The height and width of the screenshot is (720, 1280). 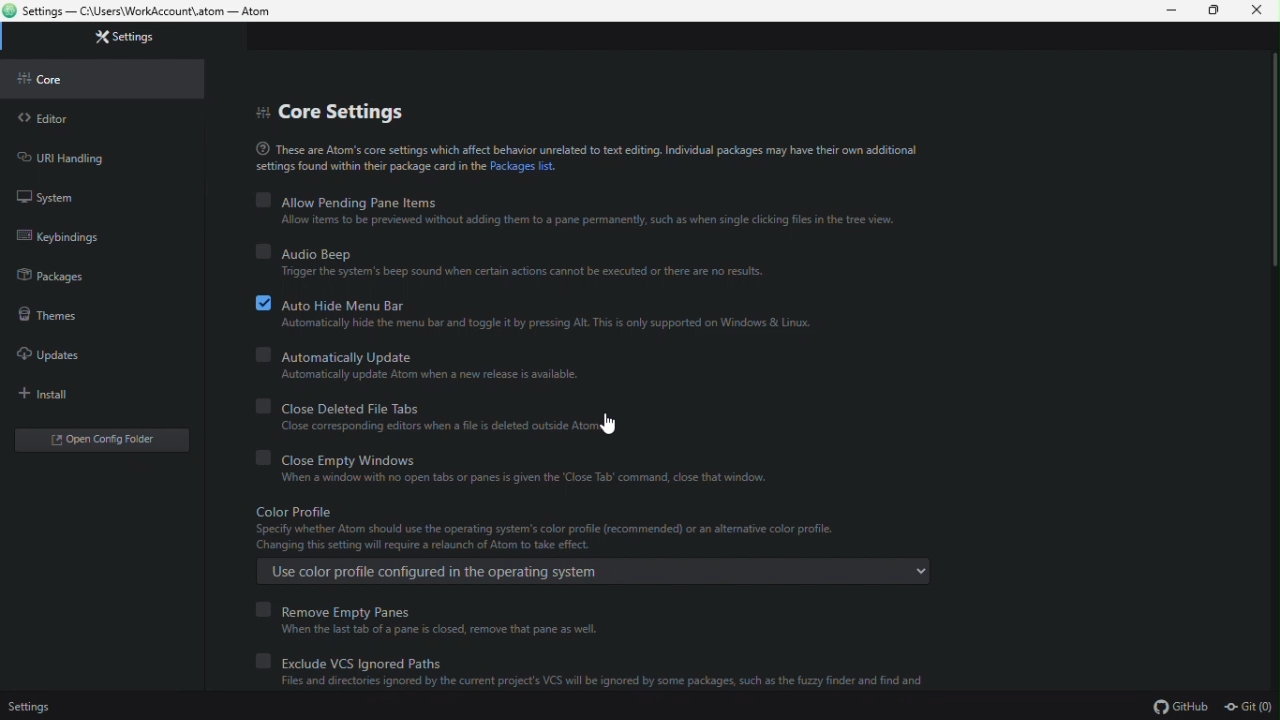 What do you see at coordinates (65, 355) in the screenshot?
I see `Updates` at bounding box center [65, 355].